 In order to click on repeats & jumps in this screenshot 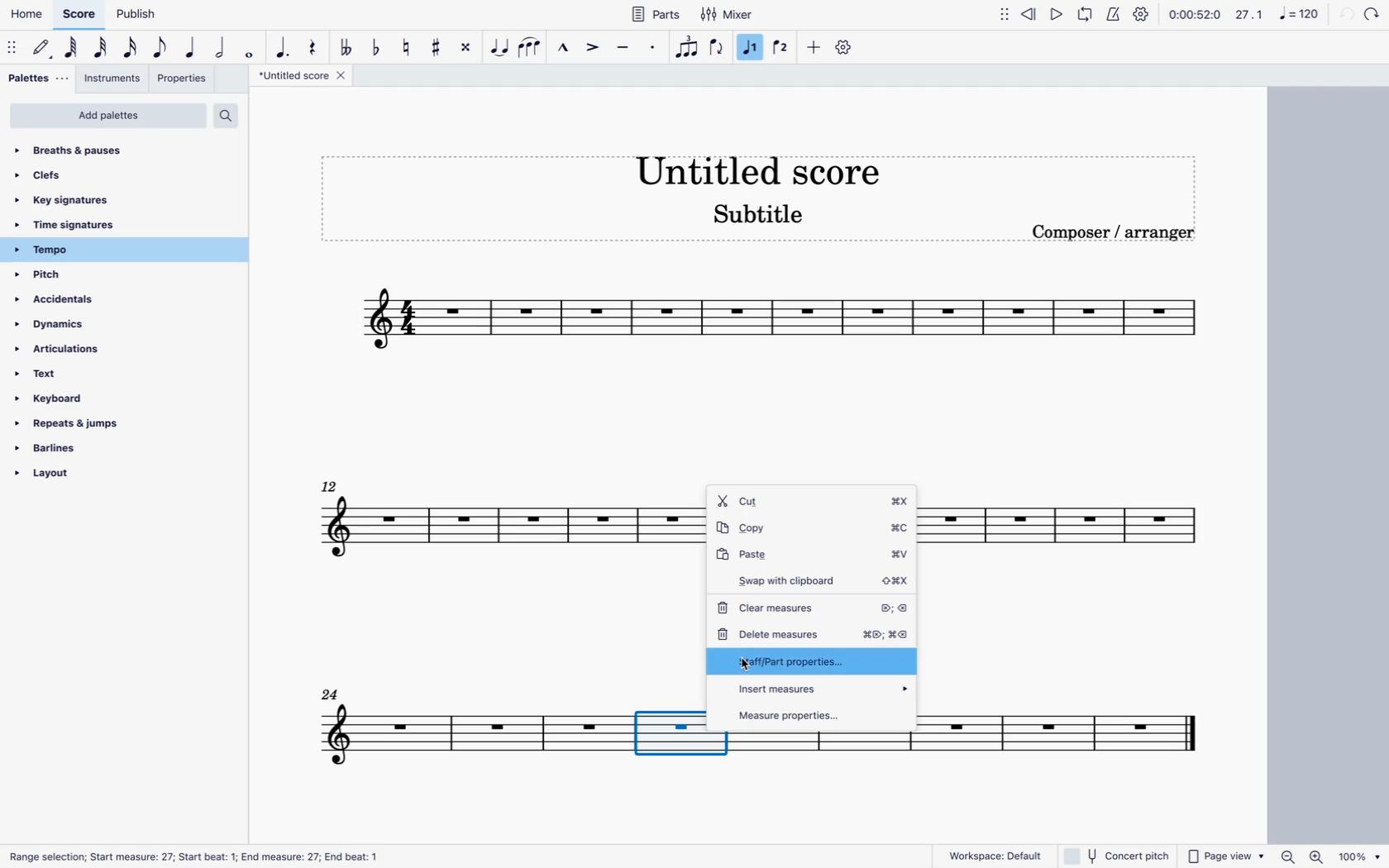, I will do `click(94, 423)`.